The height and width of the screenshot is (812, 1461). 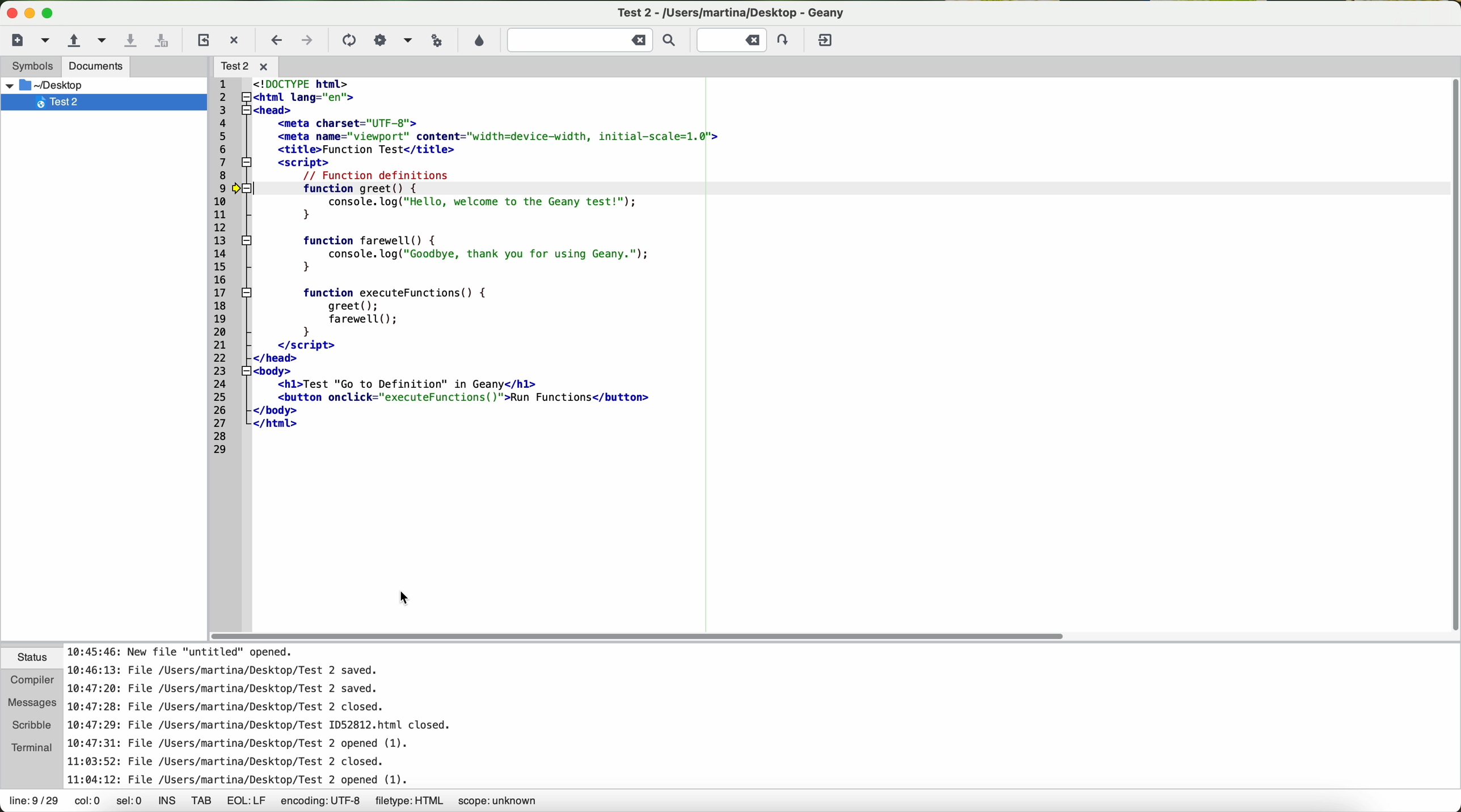 I want to click on open an existing file, so click(x=73, y=42).